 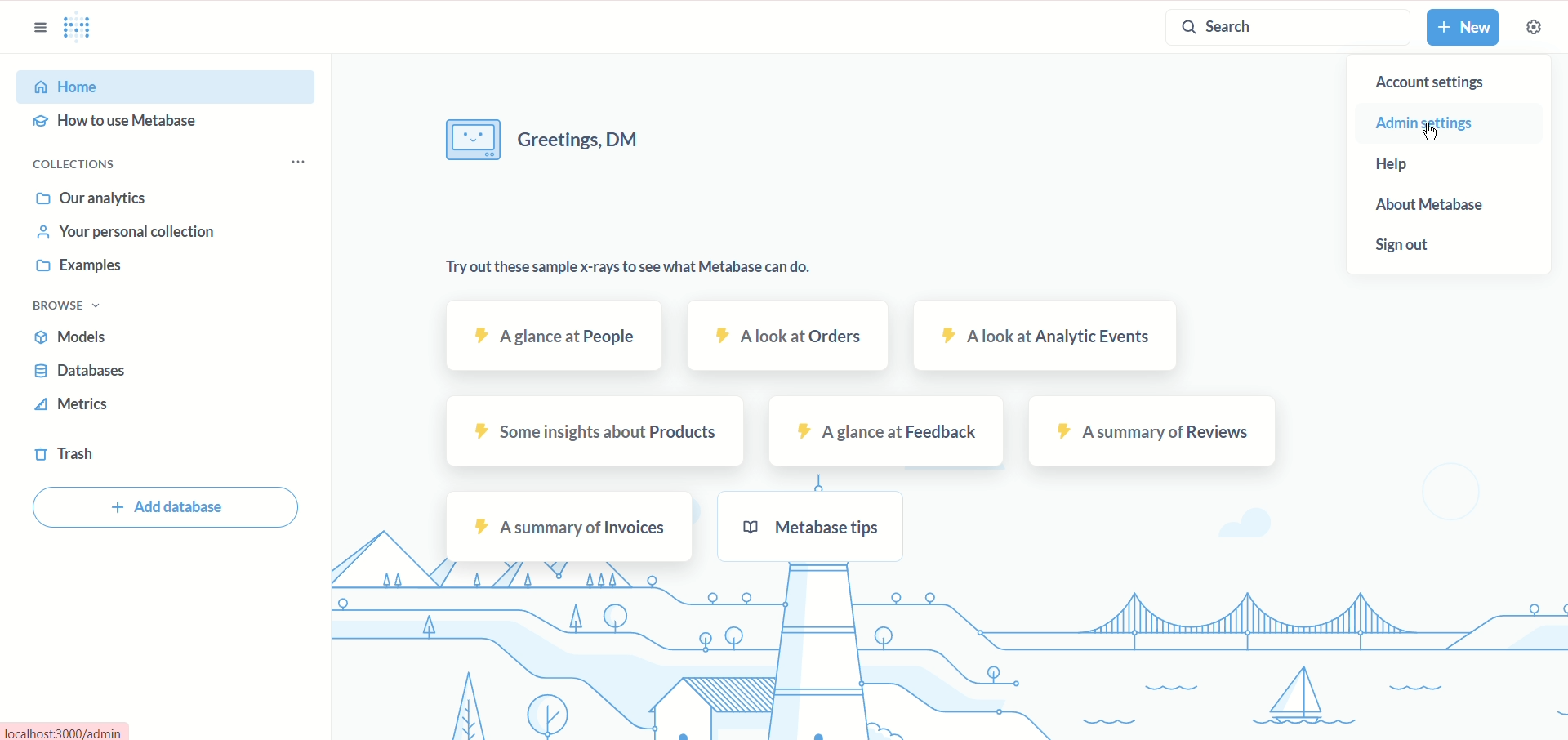 What do you see at coordinates (613, 262) in the screenshot?
I see `Try out these samples x-rays to see what Metabase can do` at bounding box center [613, 262].